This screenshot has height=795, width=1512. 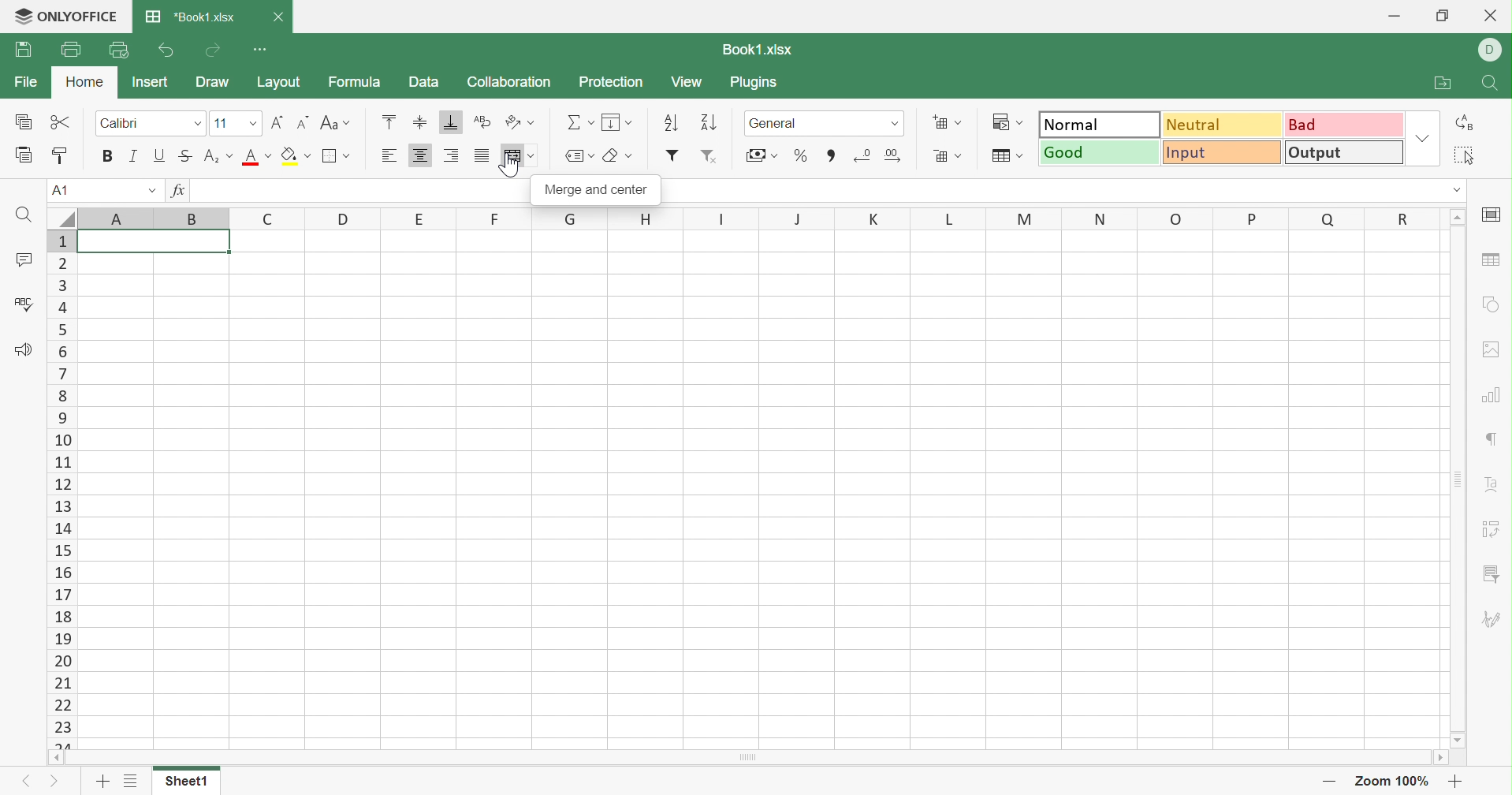 What do you see at coordinates (1495, 487) in the screenshot?
I see `Text Art settings` at bounding box center [1495, 487].